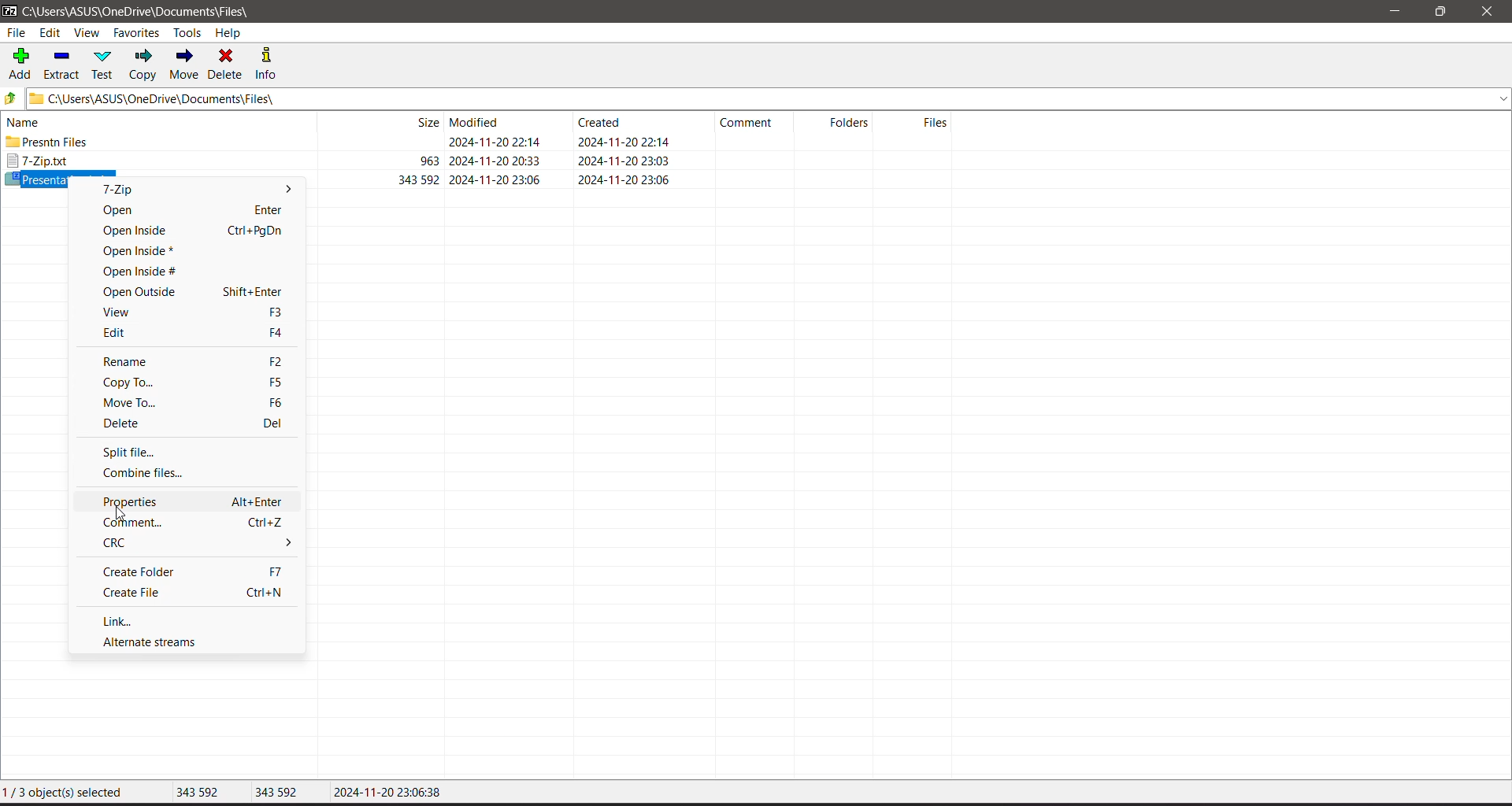  Describe the element at coordinates (484, 120) in the screenshot. I see `Current Folder View` at that location.